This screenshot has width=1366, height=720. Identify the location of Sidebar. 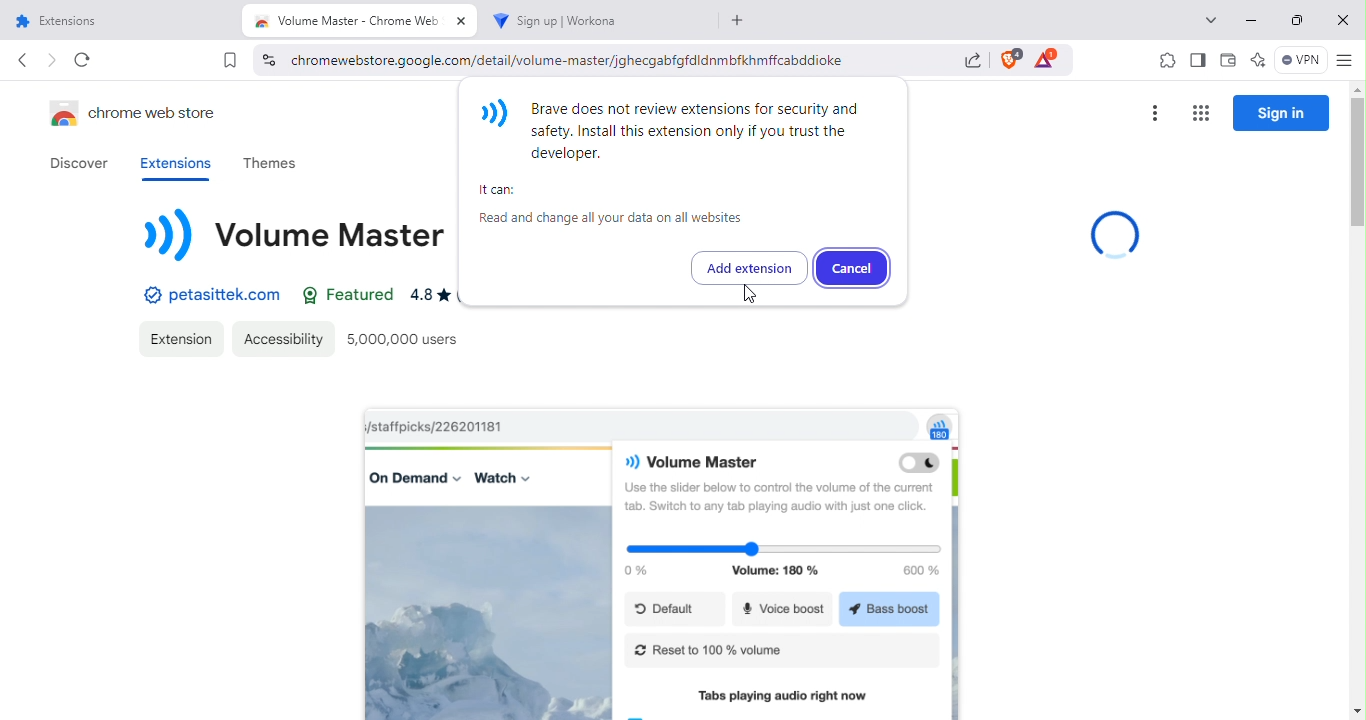
(1196, 59).